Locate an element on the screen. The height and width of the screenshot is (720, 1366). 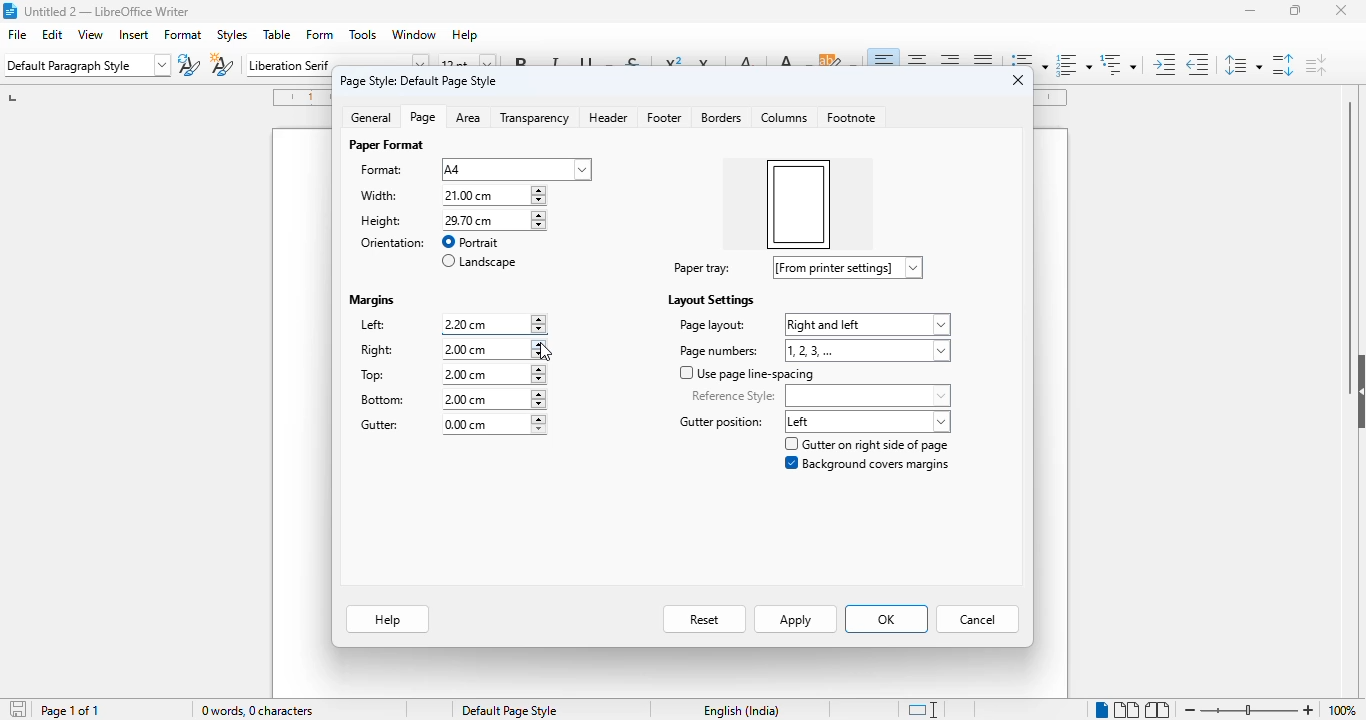
apply is located at coordinates (794, 619).